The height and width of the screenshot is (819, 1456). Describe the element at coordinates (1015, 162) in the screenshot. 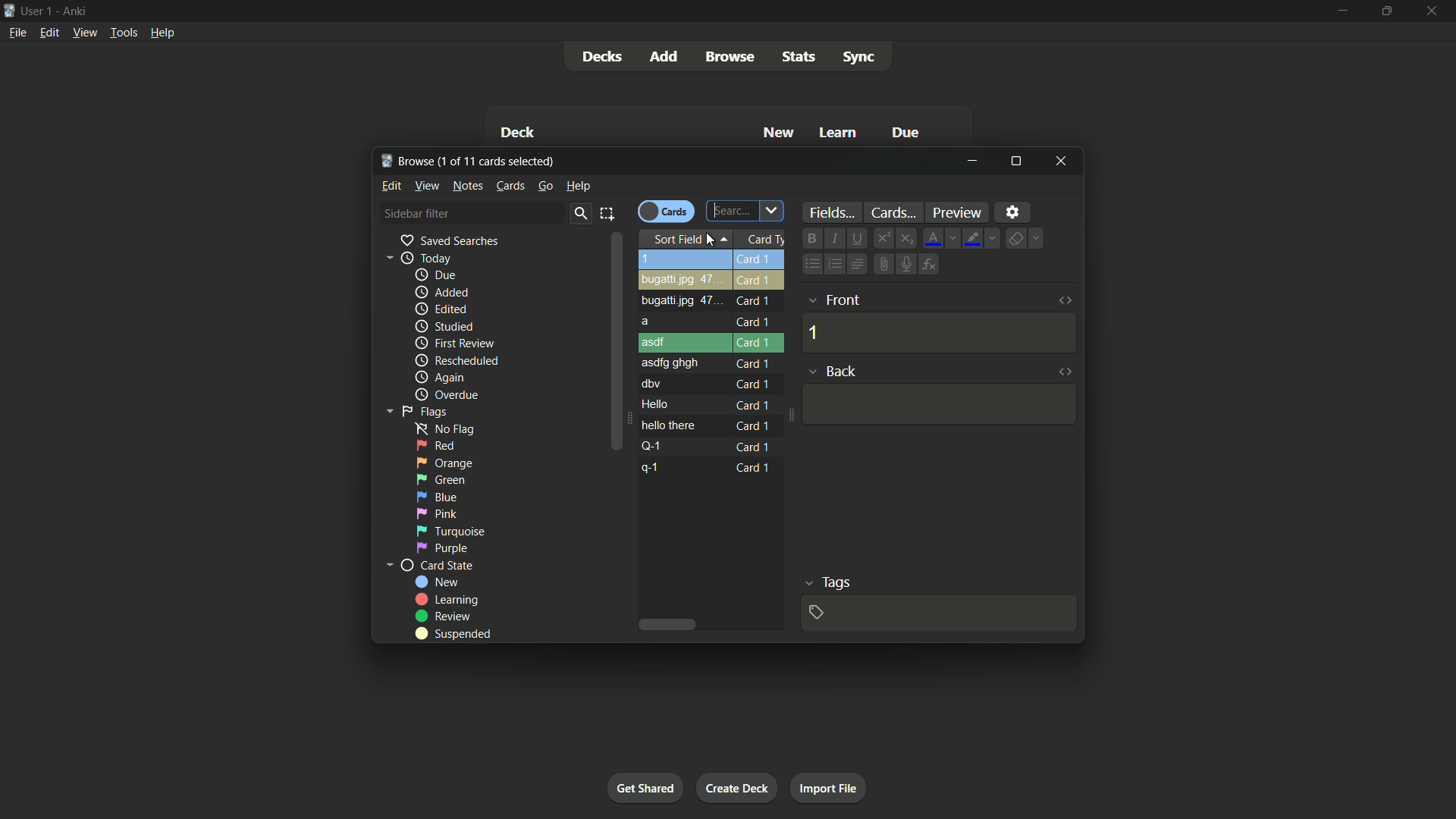

I see `maximize` at that location.